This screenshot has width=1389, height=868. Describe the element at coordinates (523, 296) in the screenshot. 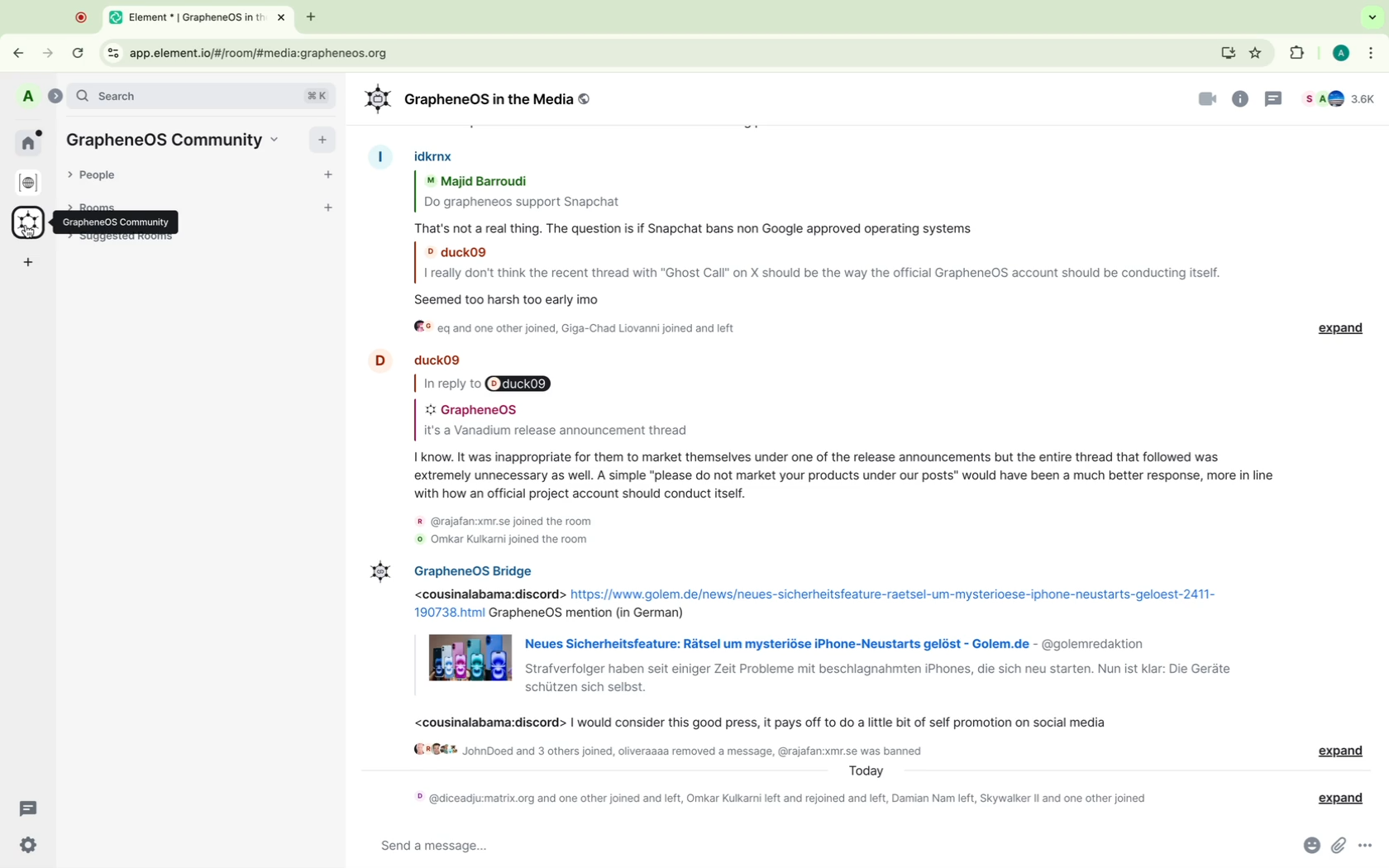

I see `seemed too harsh too early IMO` at that location.